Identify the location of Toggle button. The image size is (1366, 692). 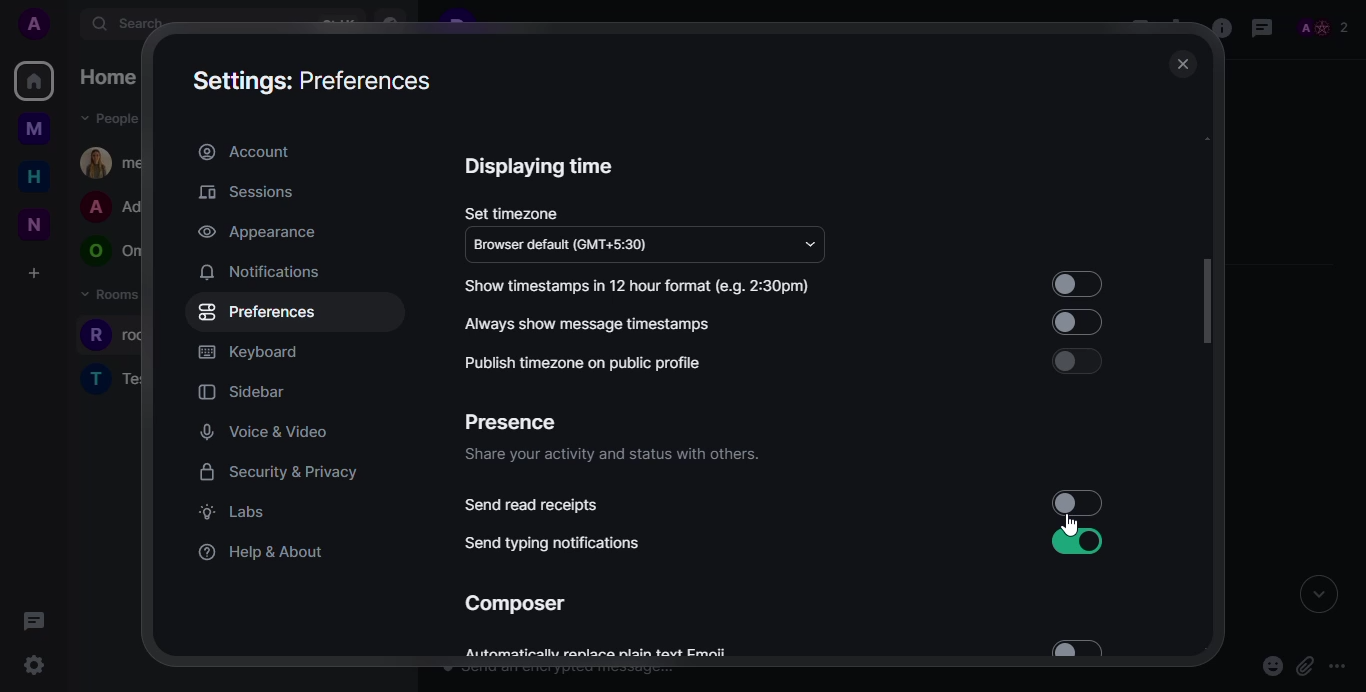
(1078, 361).